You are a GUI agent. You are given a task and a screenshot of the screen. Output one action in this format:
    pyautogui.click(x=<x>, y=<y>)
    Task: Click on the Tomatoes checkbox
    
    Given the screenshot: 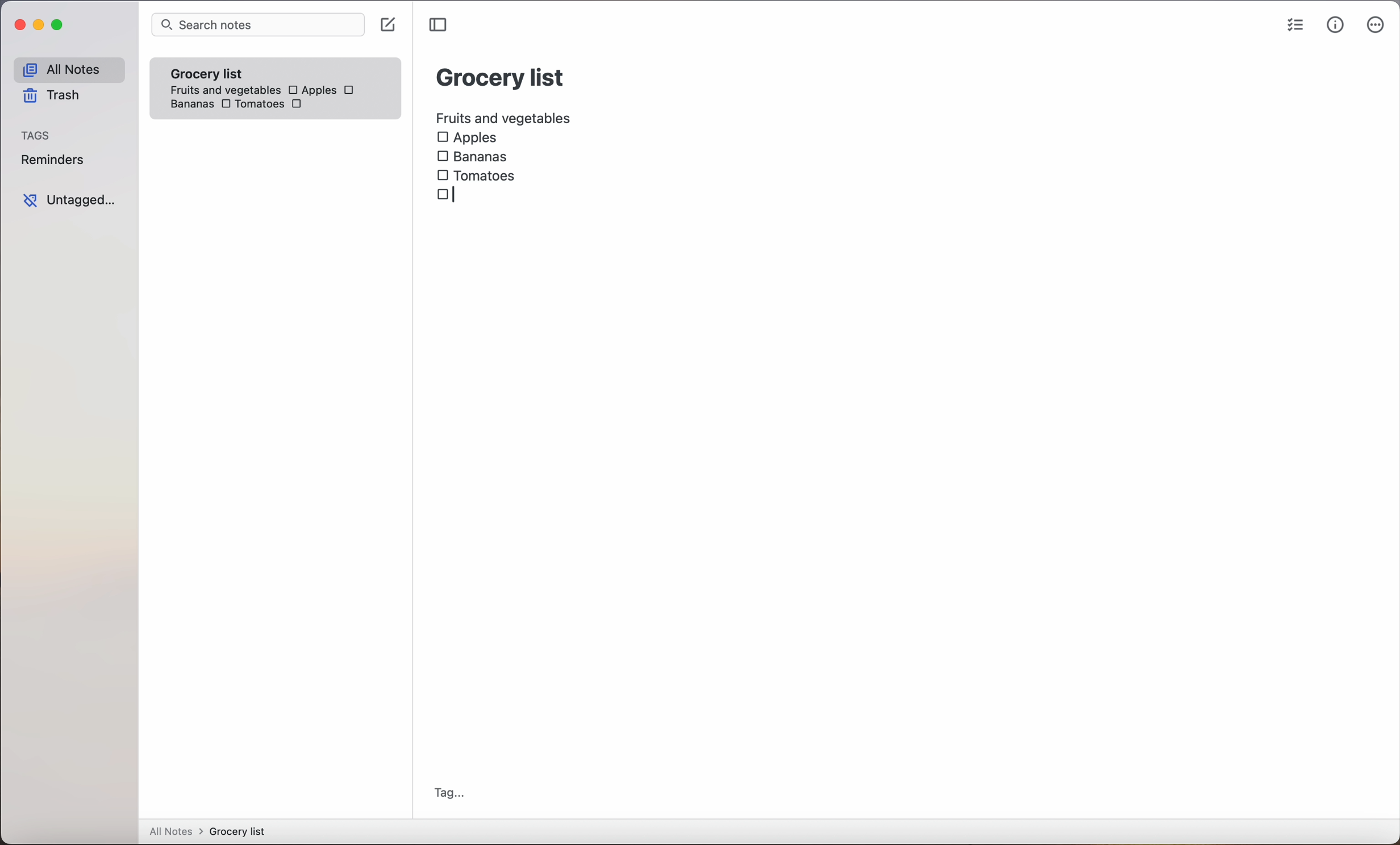 What is the action you would take?
    pyautogui.click(x=251, y=105)
    